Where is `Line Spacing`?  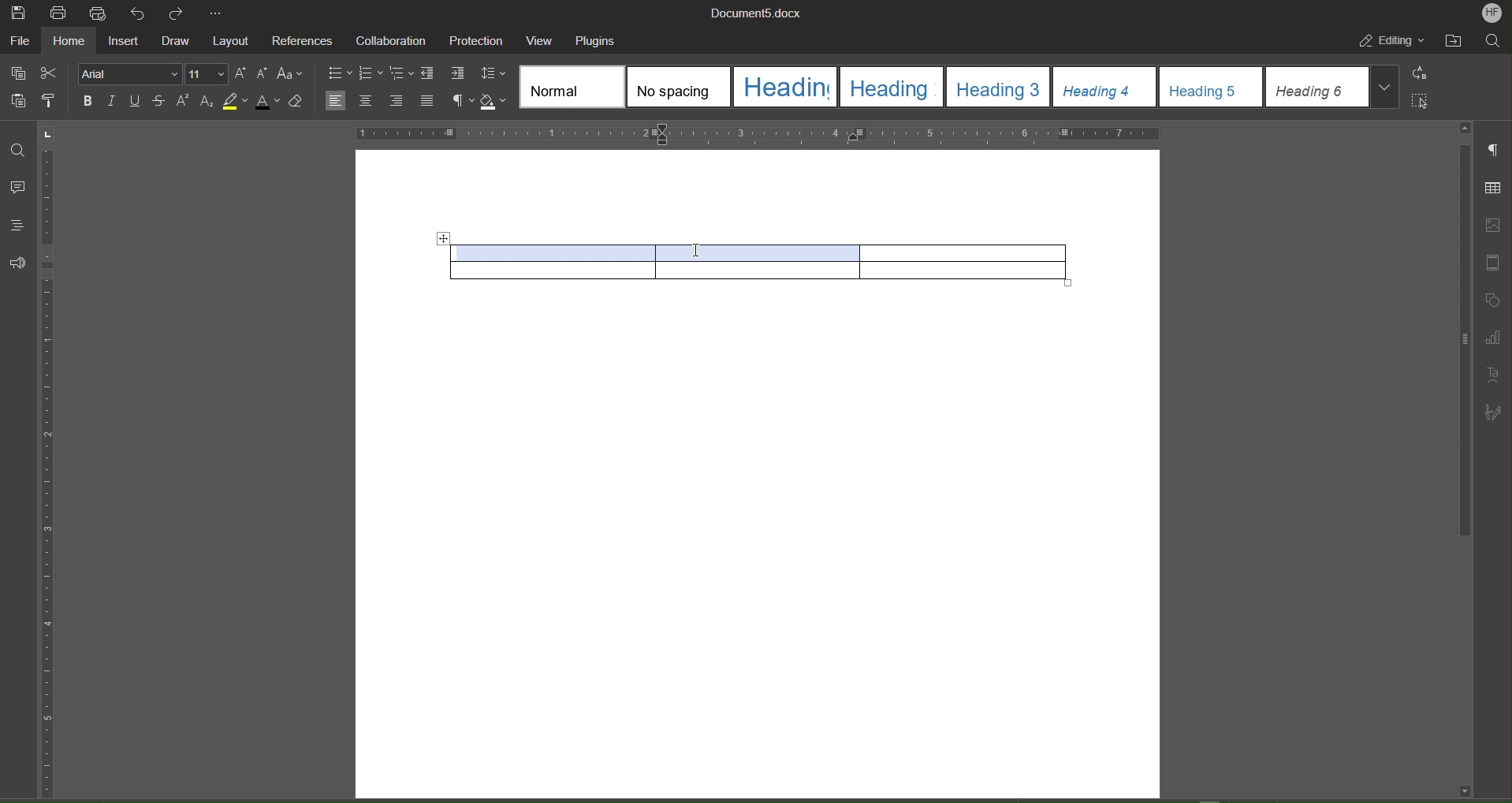 Line Spacing is located at coordinates (493, 74).